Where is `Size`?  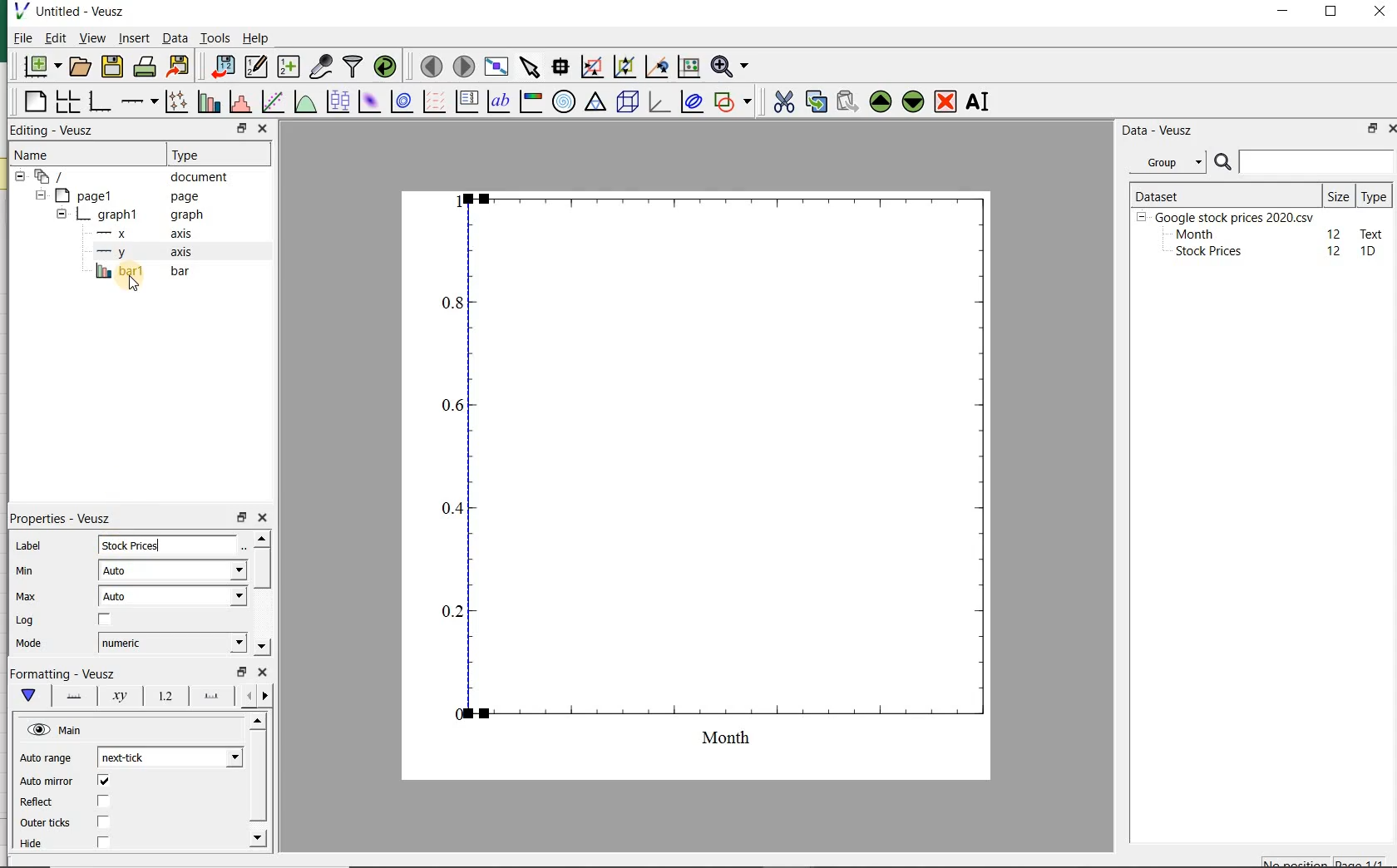 Size is located at coordinates (1339, 195).